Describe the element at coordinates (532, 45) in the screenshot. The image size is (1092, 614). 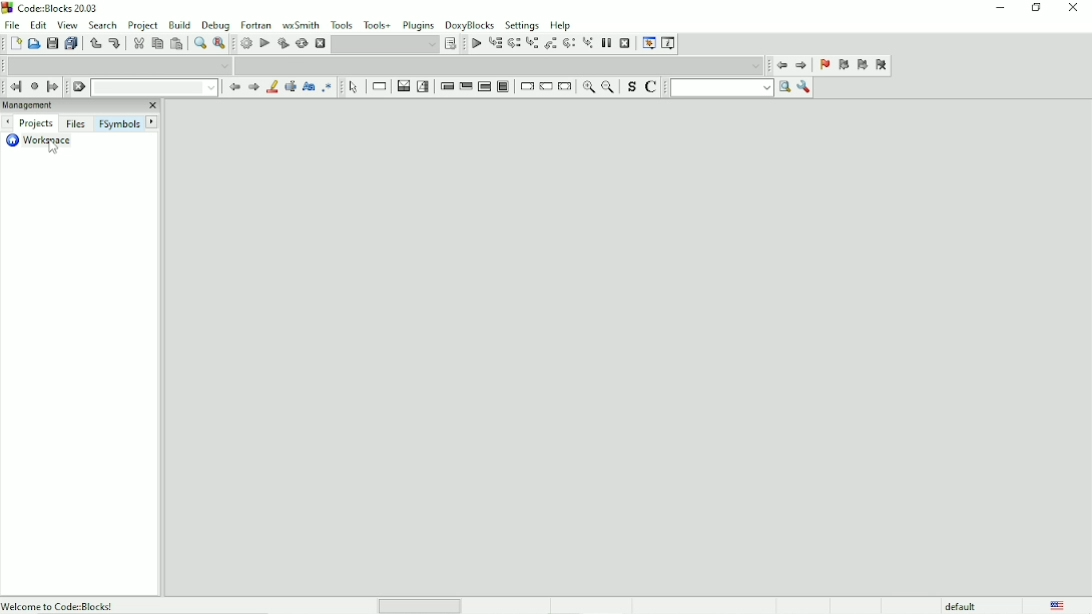
I see `Step into` at that location.